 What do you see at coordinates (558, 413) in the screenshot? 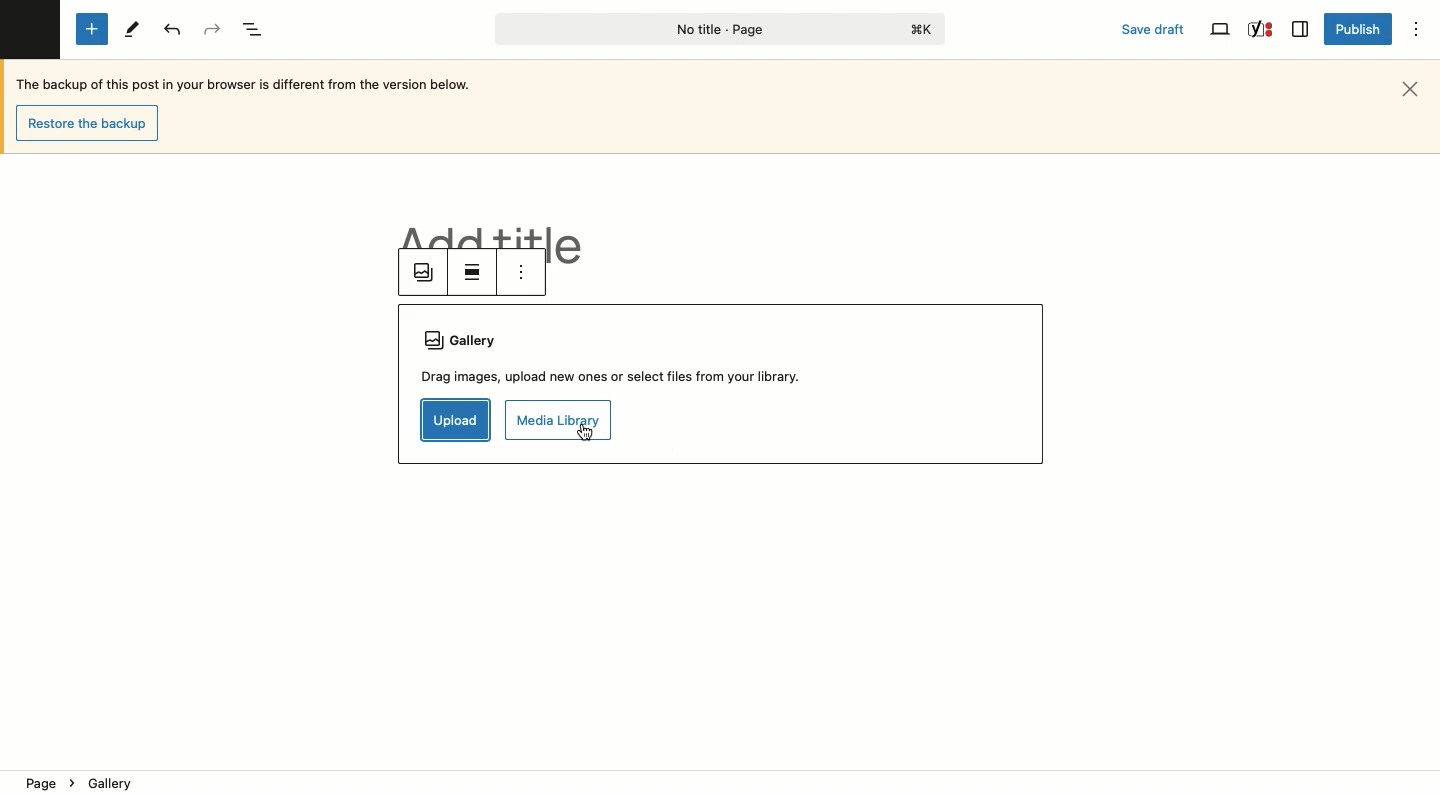
I see `Media library` at bounding box center [558, 413].